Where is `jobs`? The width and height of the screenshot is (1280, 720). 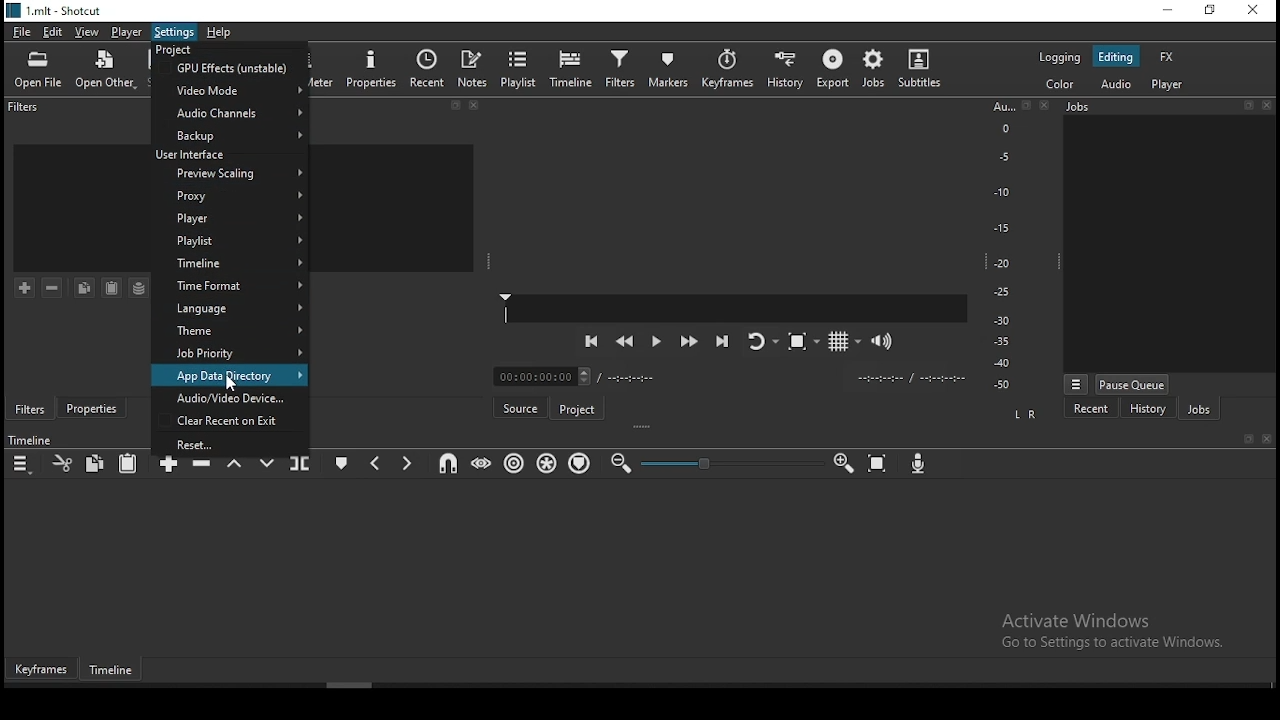
jobs is located at coordinates (1198, 408).